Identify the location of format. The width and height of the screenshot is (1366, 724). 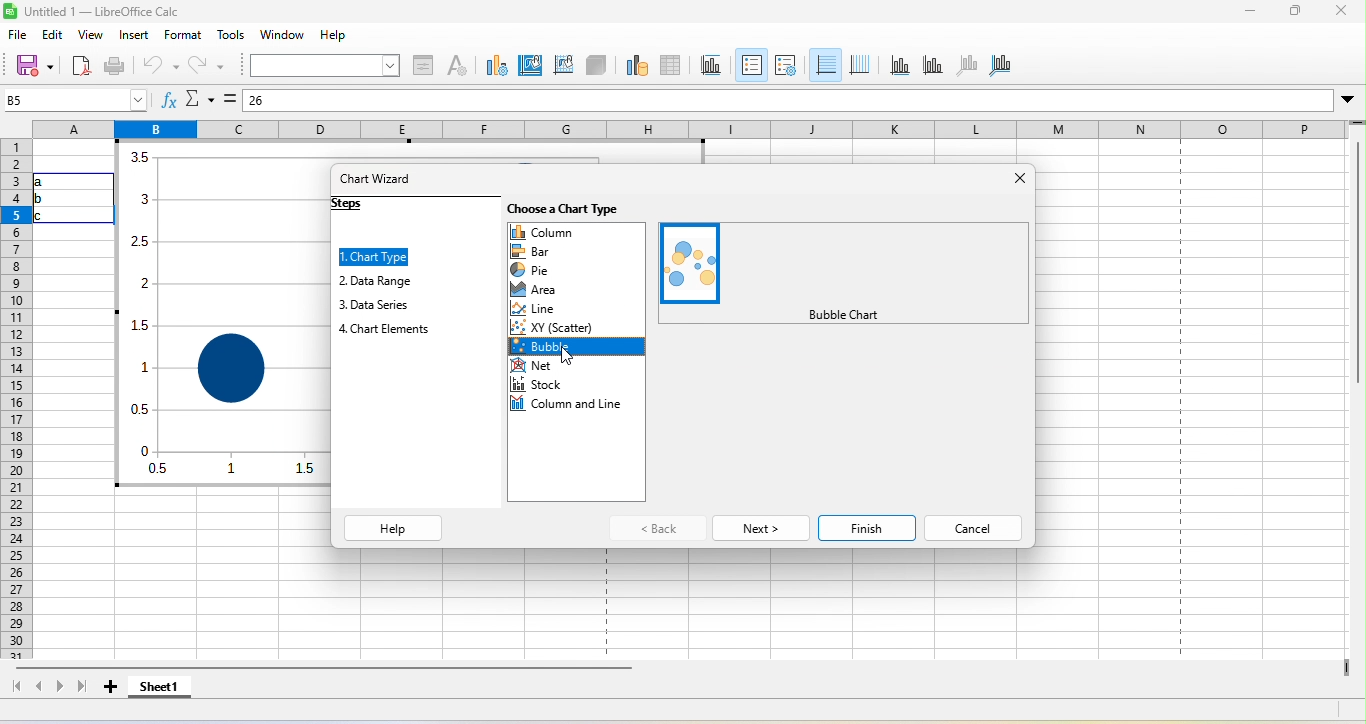
(179, 36).